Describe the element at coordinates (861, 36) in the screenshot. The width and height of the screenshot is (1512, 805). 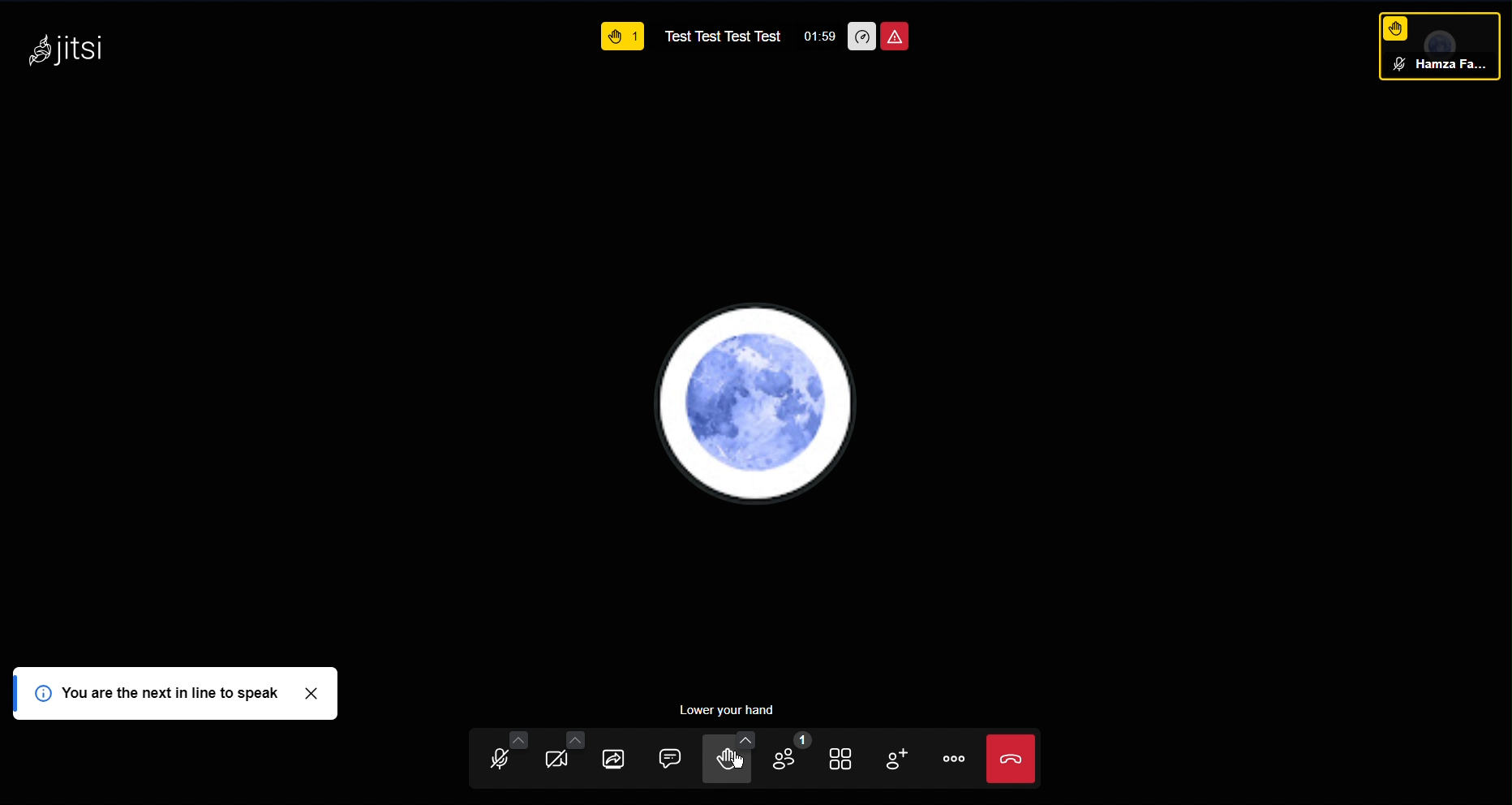
I see `Performance Settings` at that location.